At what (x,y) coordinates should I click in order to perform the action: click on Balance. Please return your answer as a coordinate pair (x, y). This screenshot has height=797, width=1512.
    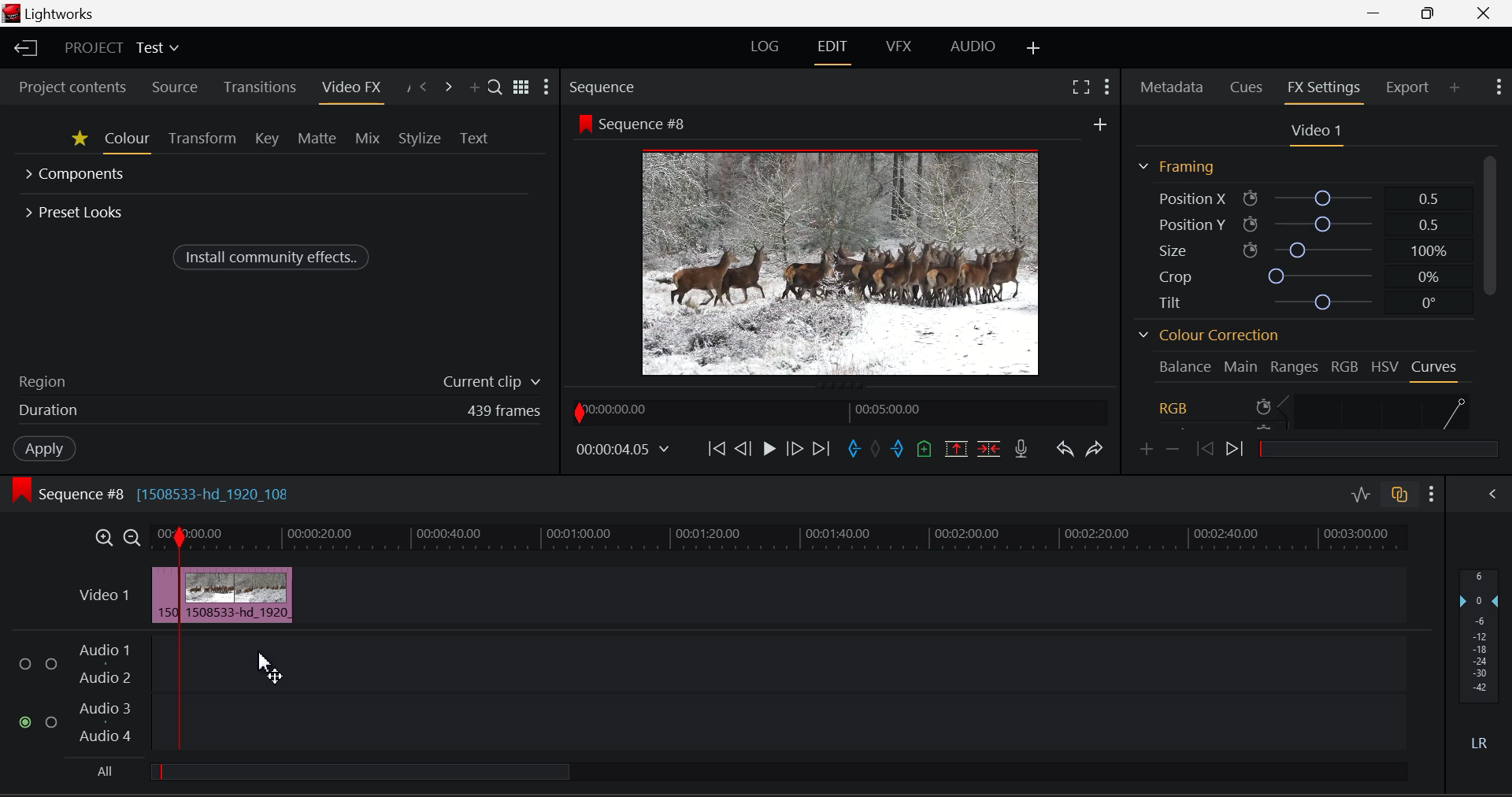
    Looking at the image, I should click on (1184, 366).